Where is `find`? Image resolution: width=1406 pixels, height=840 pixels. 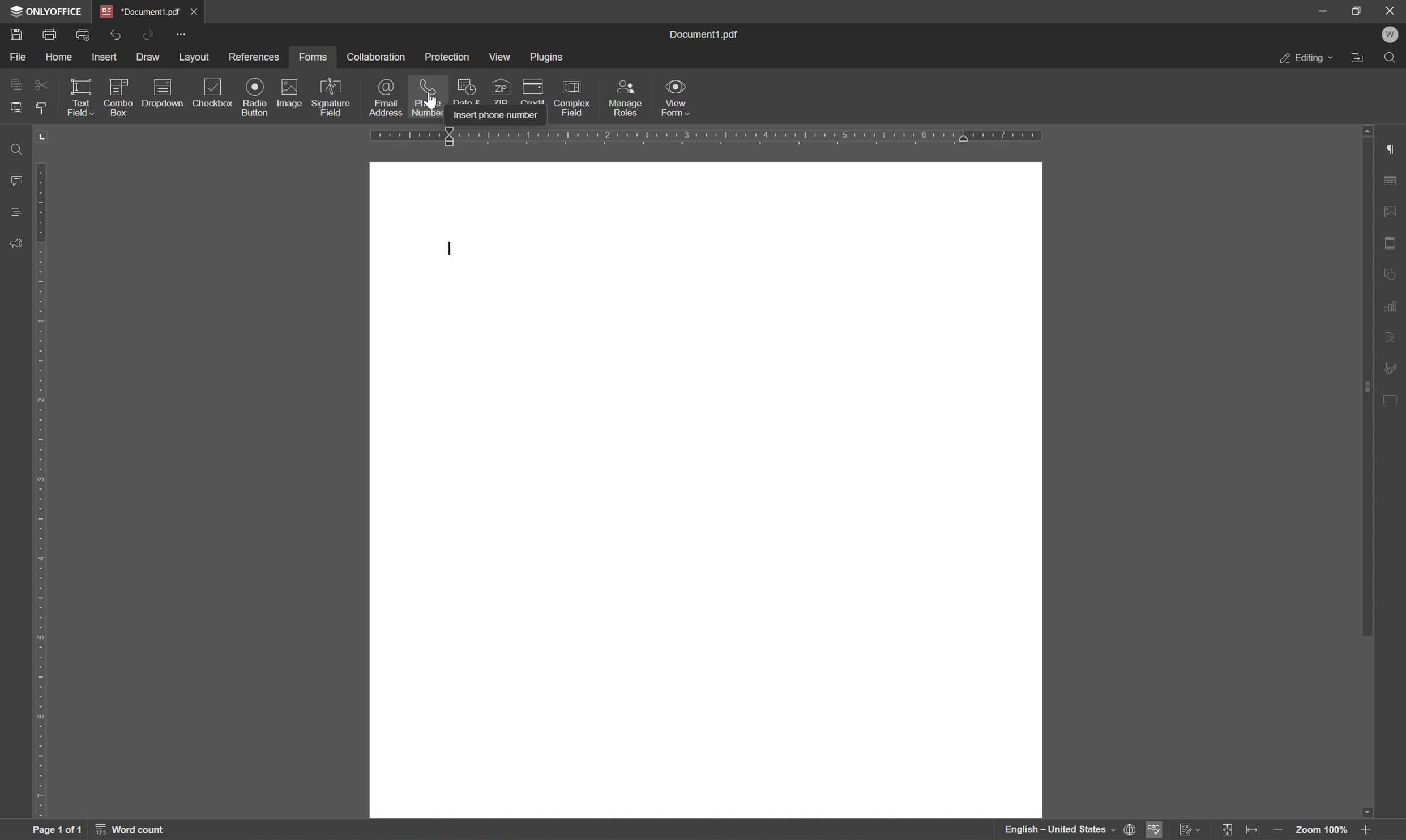
find is located at coordinates (11, 150).